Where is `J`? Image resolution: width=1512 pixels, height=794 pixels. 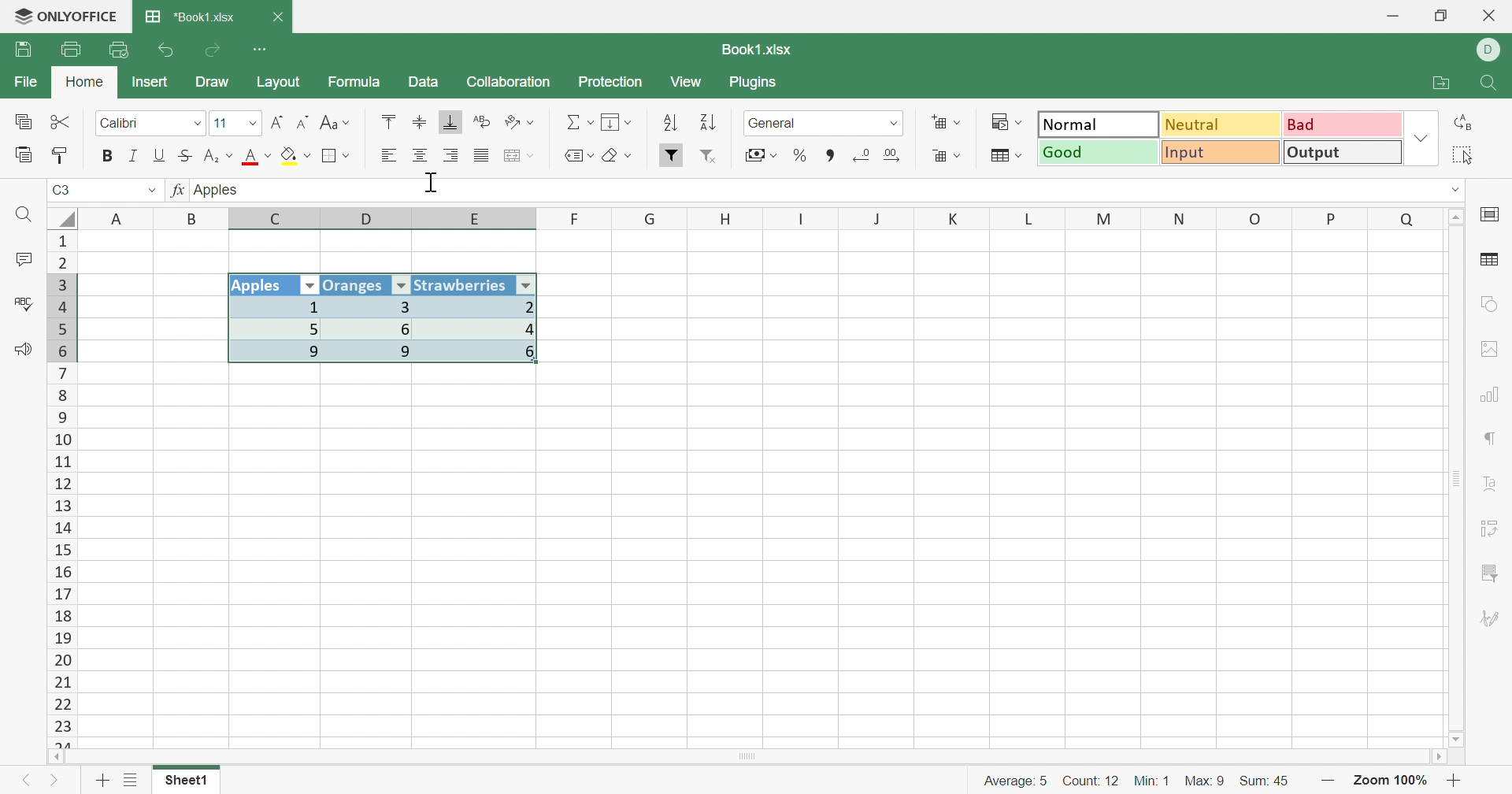 J is located at coordinates (879, 219).